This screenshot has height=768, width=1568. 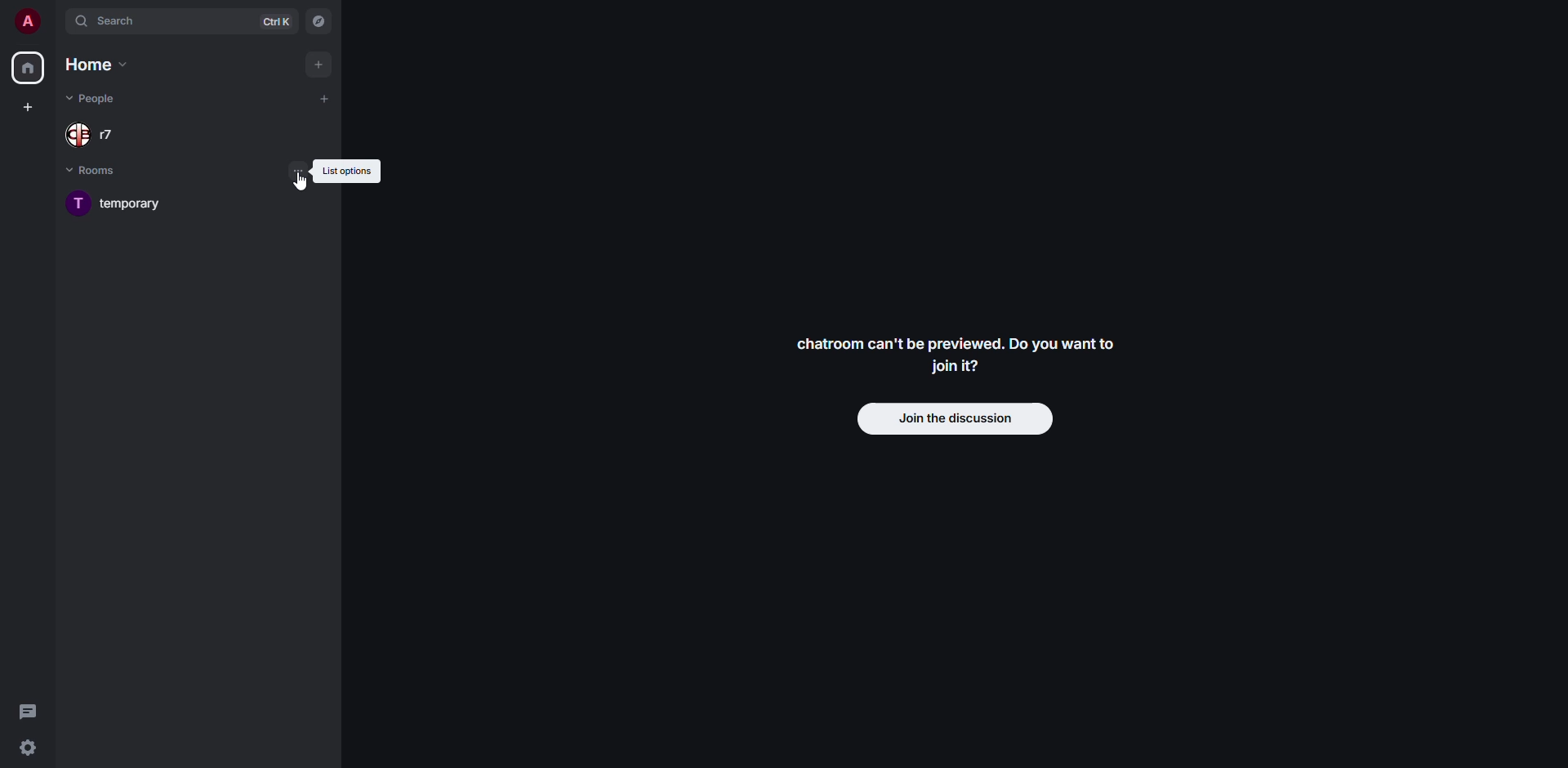 I want to click on add, so click(x=318, y=63).